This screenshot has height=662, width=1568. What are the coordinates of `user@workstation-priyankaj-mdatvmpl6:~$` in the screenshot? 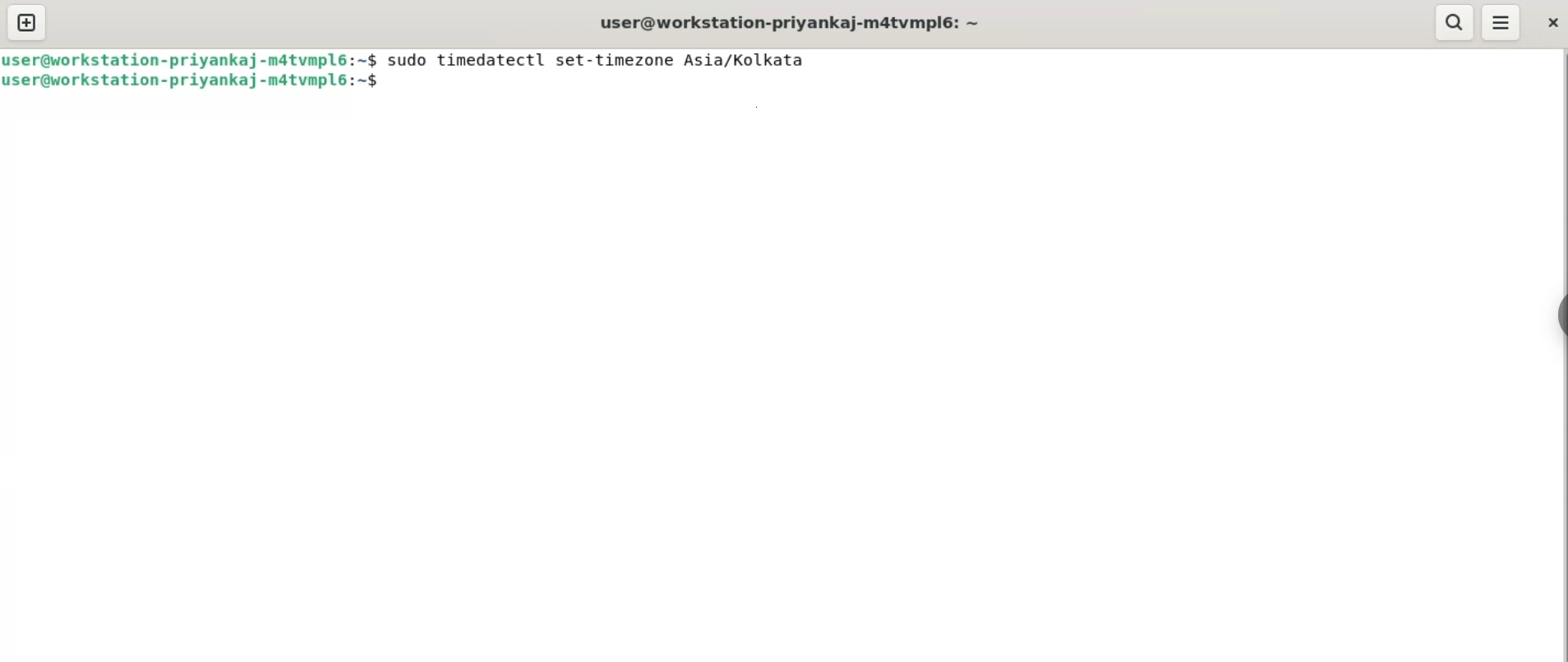 It's located at (195, 80).